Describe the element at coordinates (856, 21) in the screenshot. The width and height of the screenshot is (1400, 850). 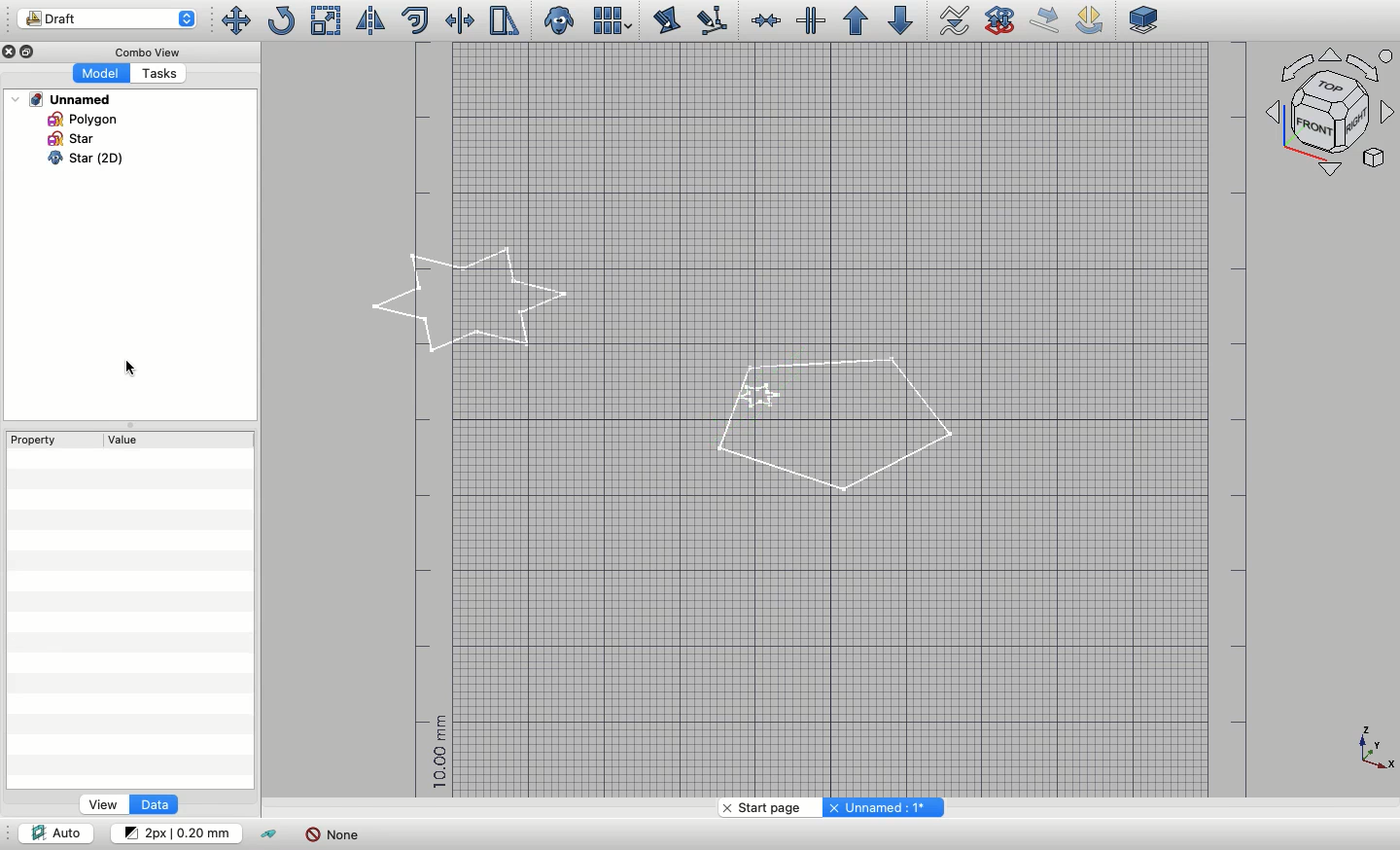
I see `Upgrade` at that location.